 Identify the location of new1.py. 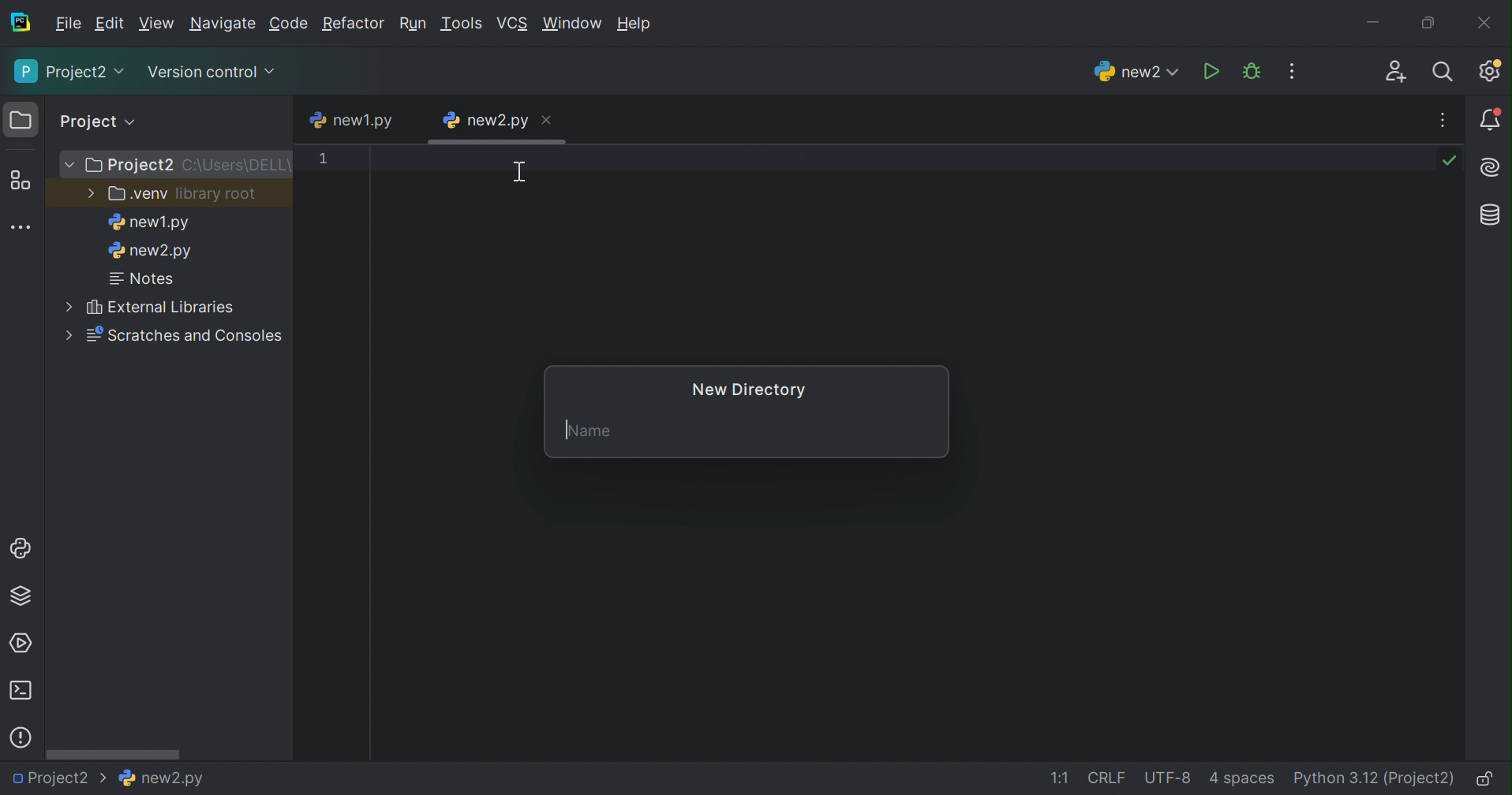
(354, 118).